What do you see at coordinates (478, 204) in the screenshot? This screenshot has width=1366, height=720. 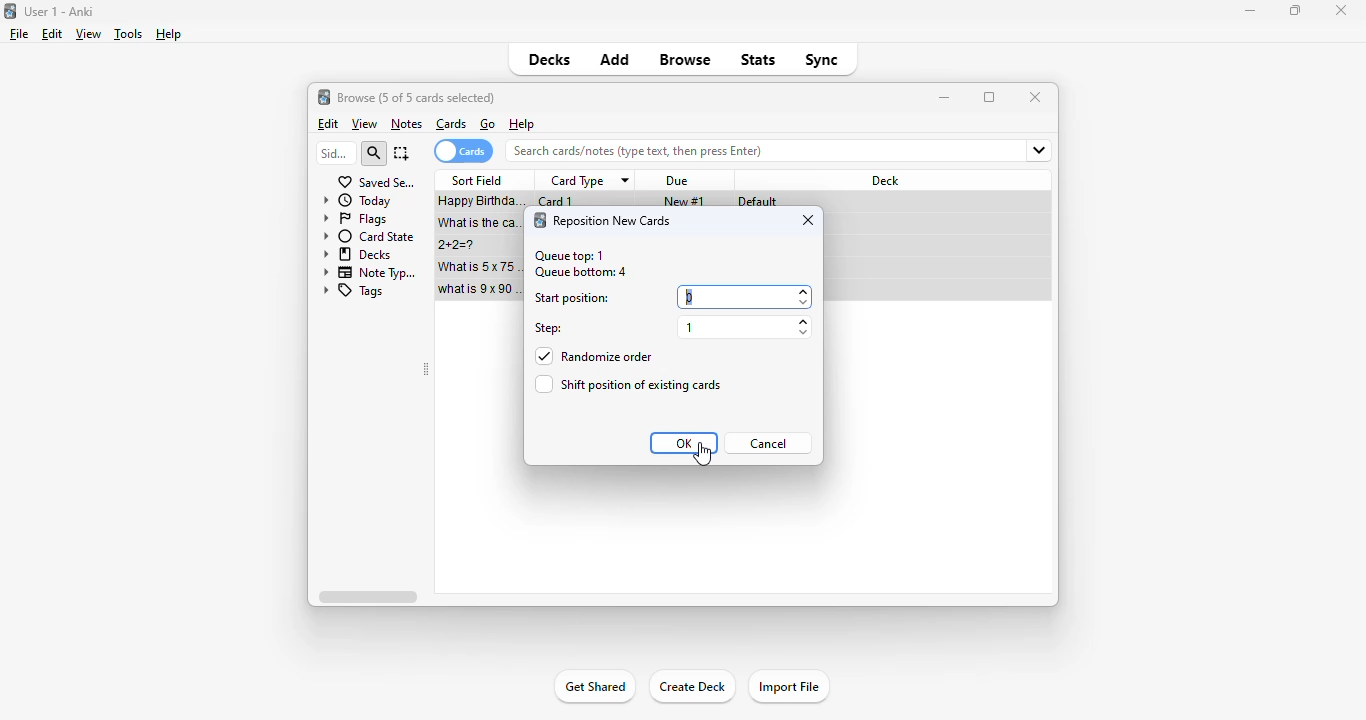 I see `Happy birthday` at bounding box center [478, 204].